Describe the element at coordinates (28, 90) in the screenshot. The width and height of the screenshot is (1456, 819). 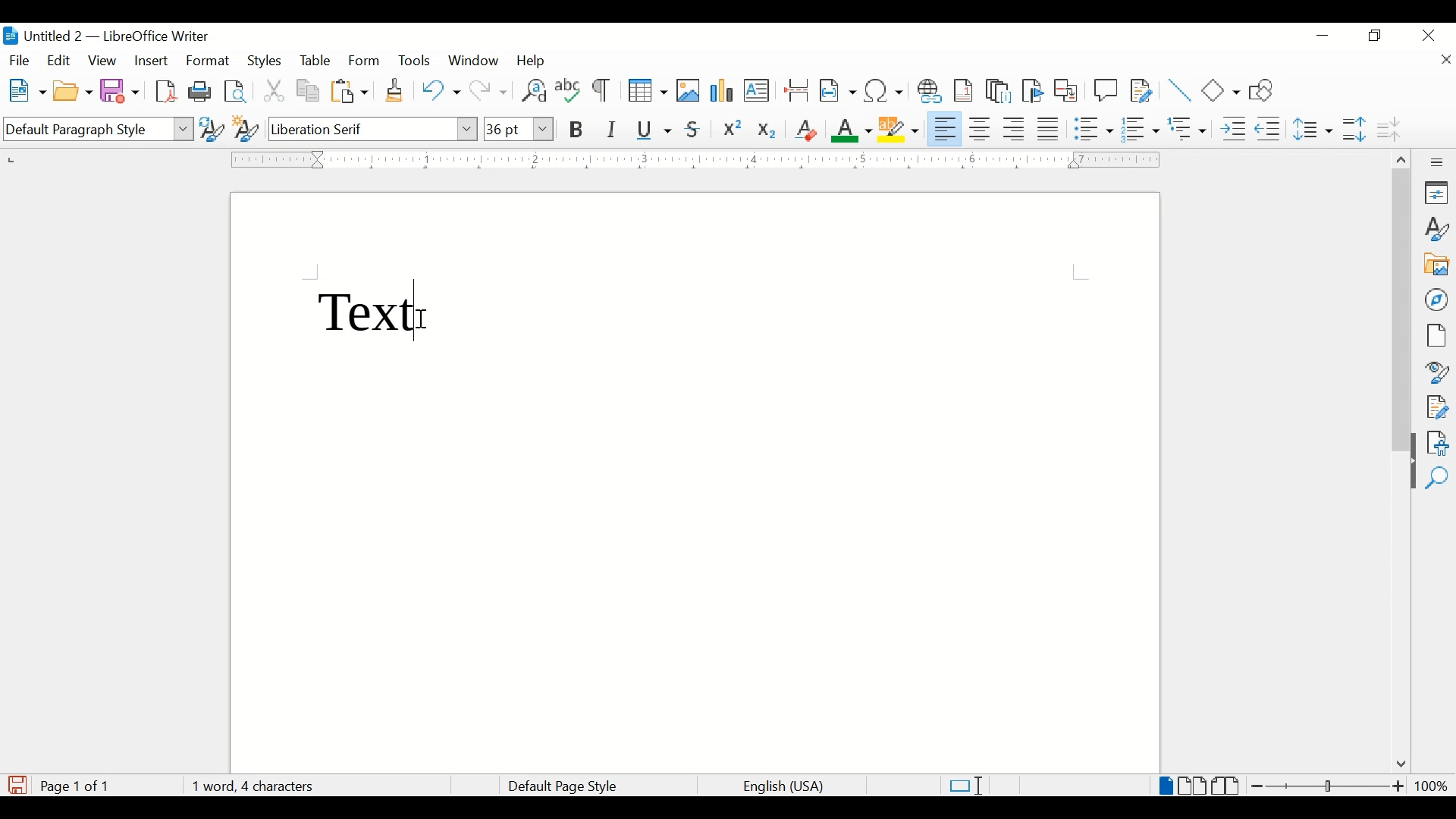
I see `new` at that location.